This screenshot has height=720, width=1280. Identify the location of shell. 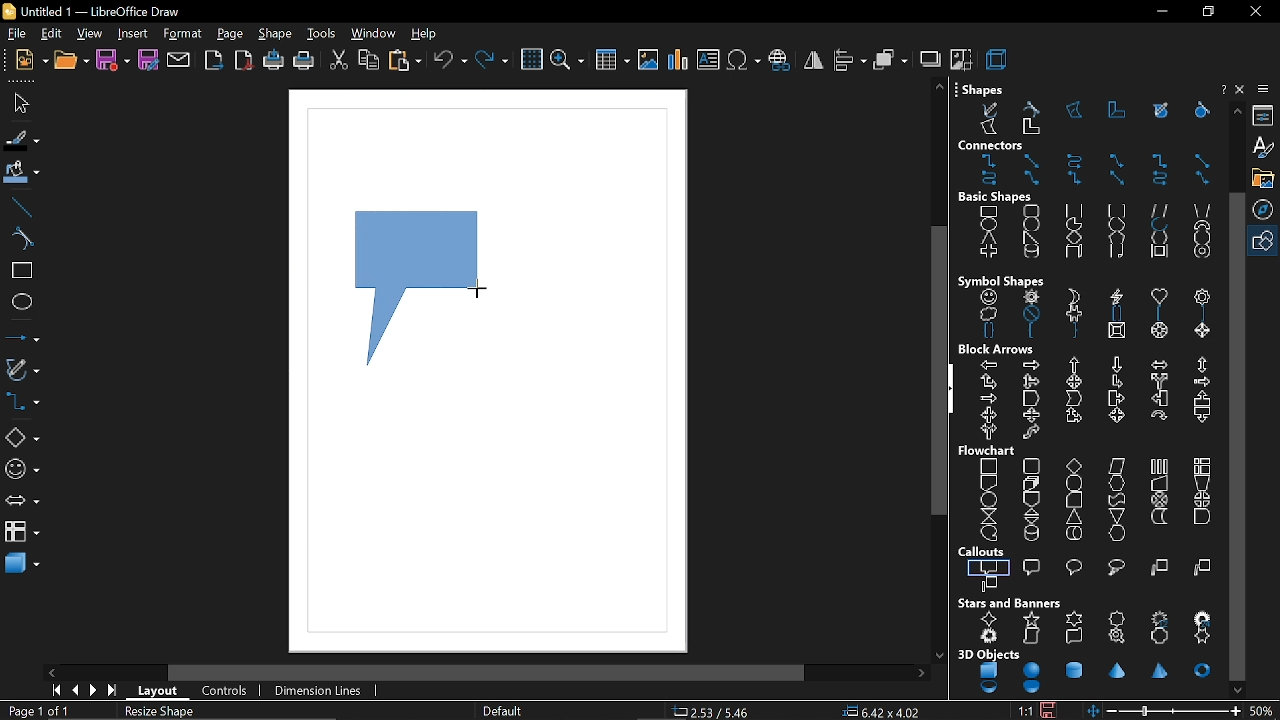
(991, 688).